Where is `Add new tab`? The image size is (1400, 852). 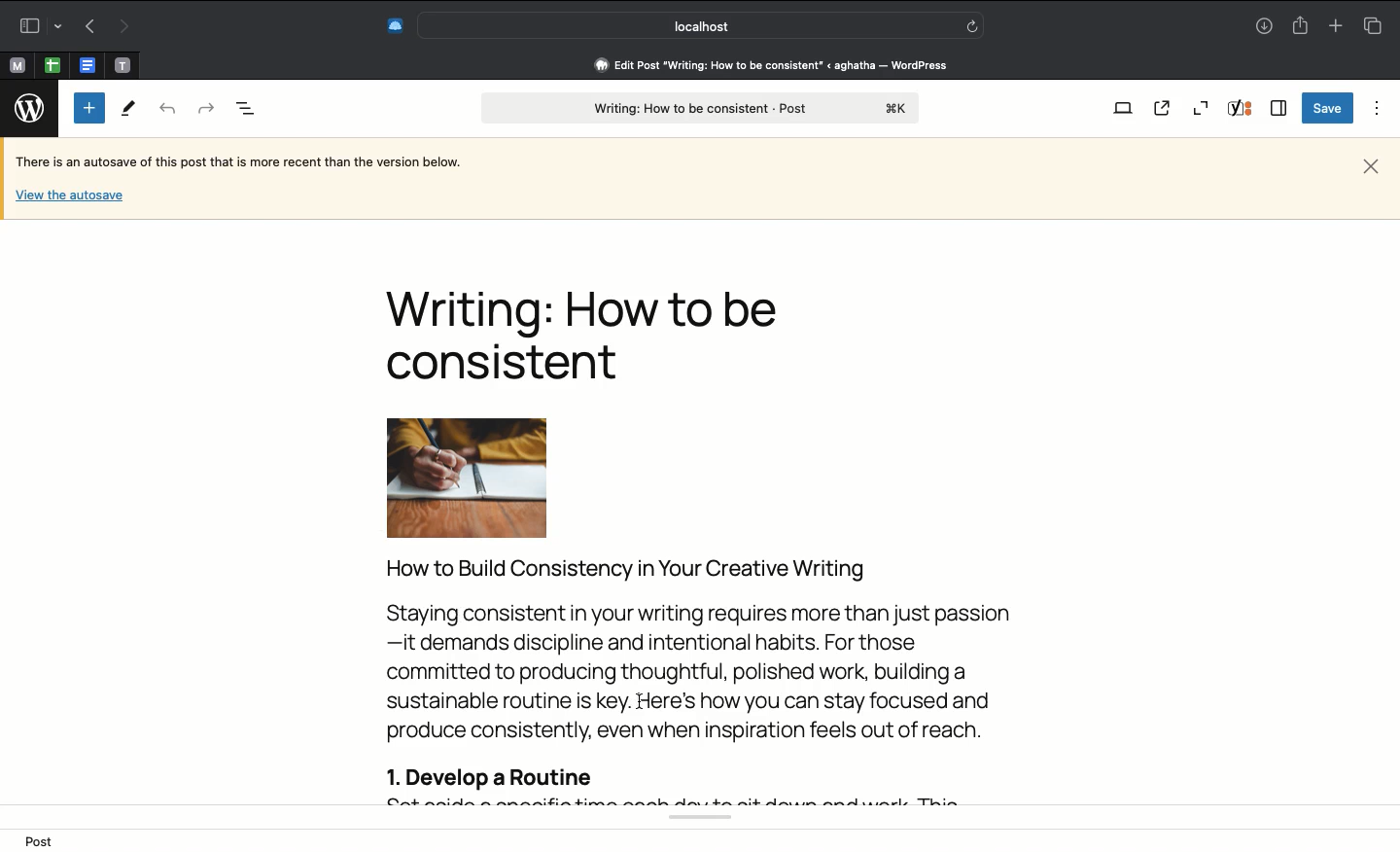
Add new tab is located at coordinates (1334, 25).